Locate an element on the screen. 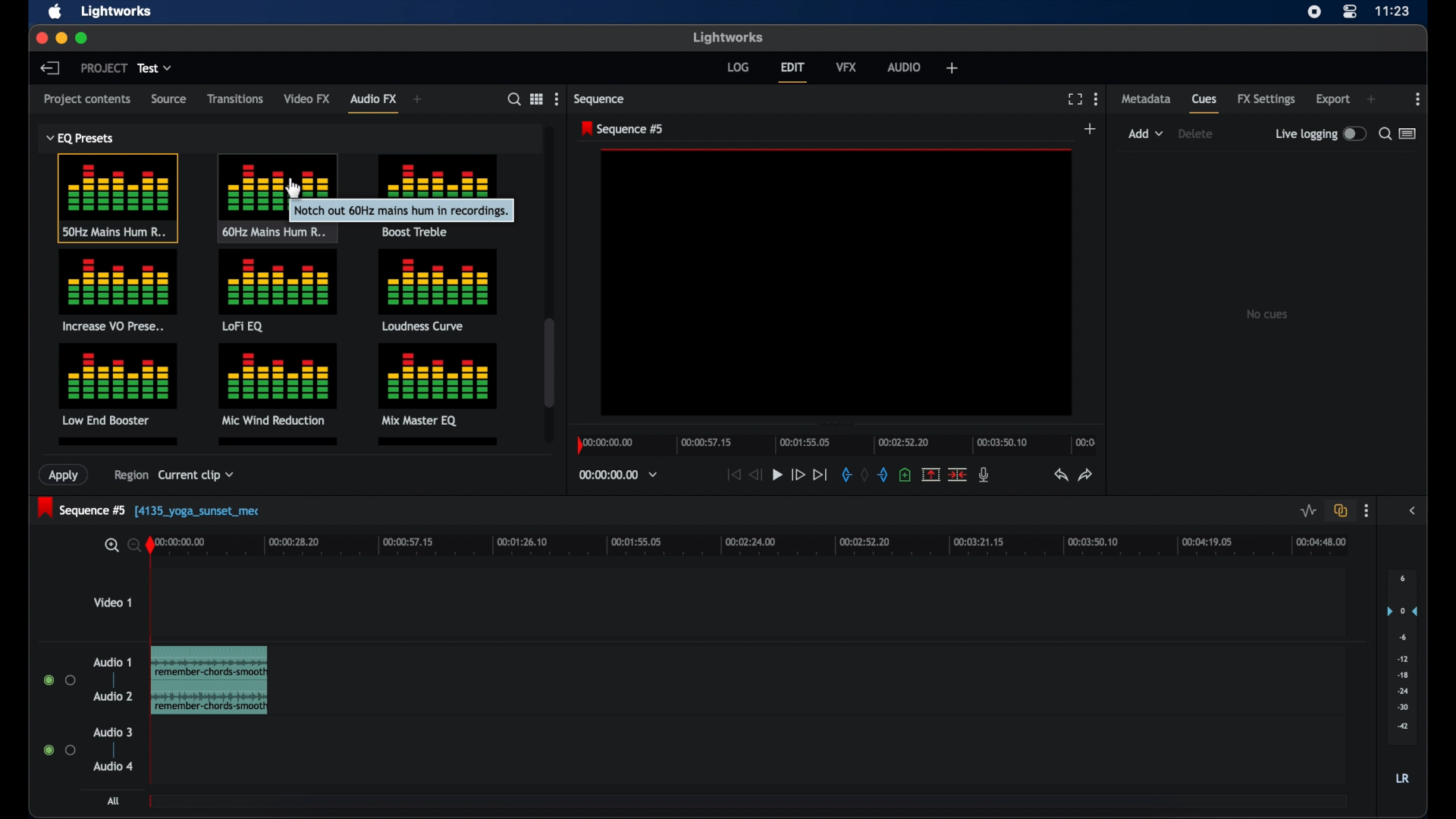  control center is located at coordinates (1348, 12).